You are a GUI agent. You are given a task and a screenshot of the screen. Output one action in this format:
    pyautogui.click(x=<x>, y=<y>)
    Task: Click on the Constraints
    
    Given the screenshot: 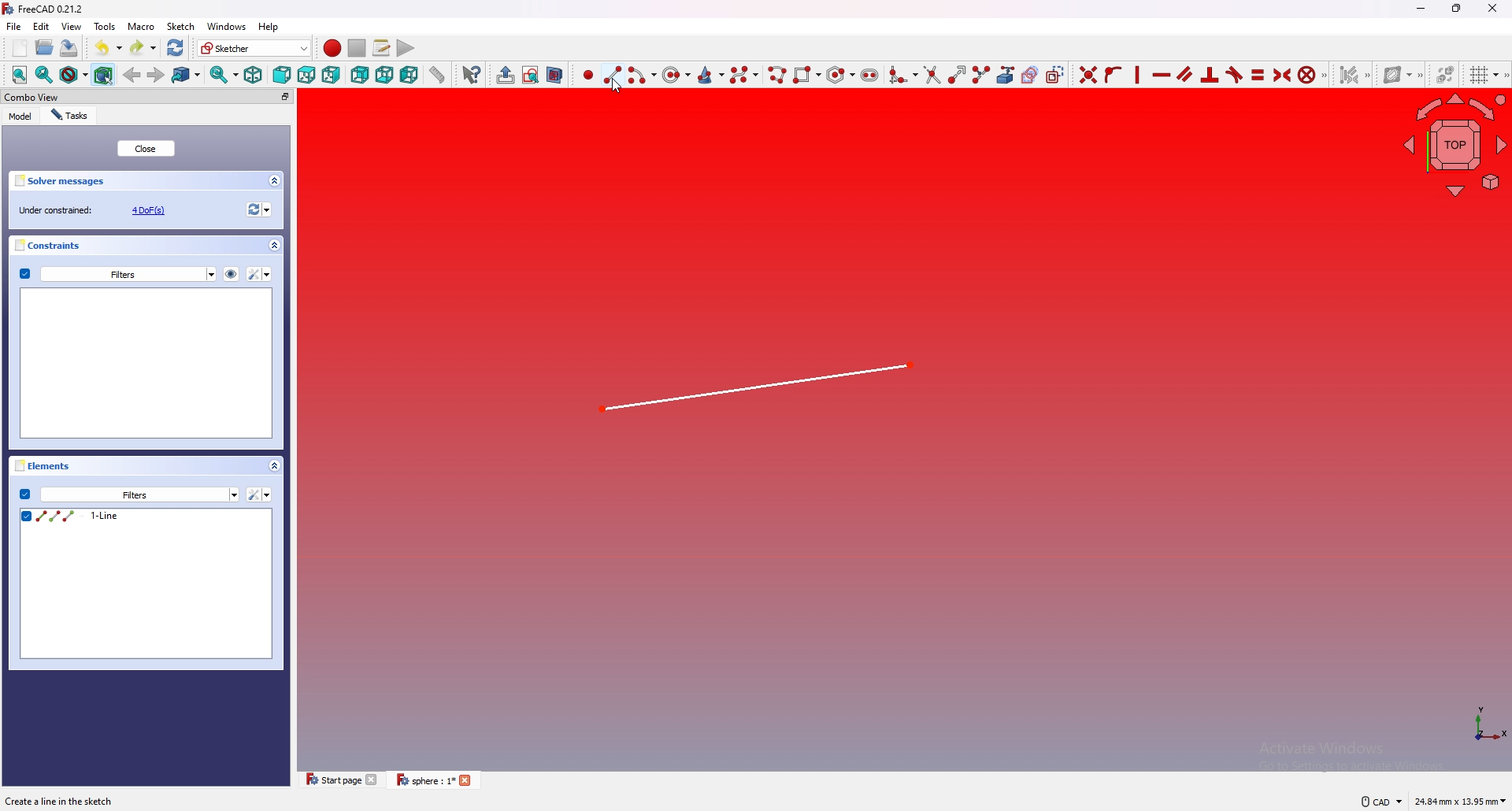 What is the action you would take?
    pyautogui.click(x=148, y=246)
    